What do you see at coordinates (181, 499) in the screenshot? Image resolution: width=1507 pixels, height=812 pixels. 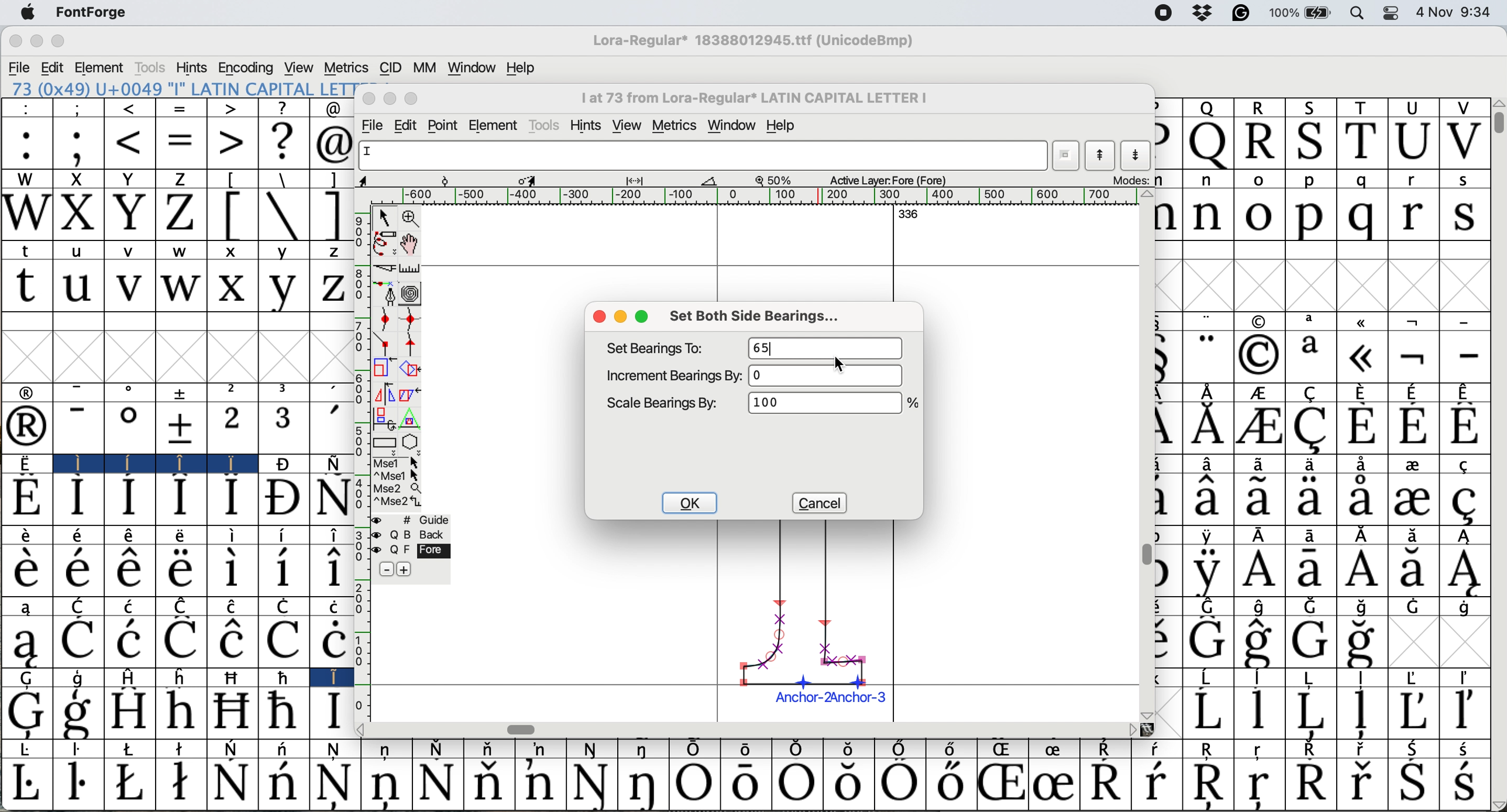 I see `Symbol` at bounding box center [181, 499].